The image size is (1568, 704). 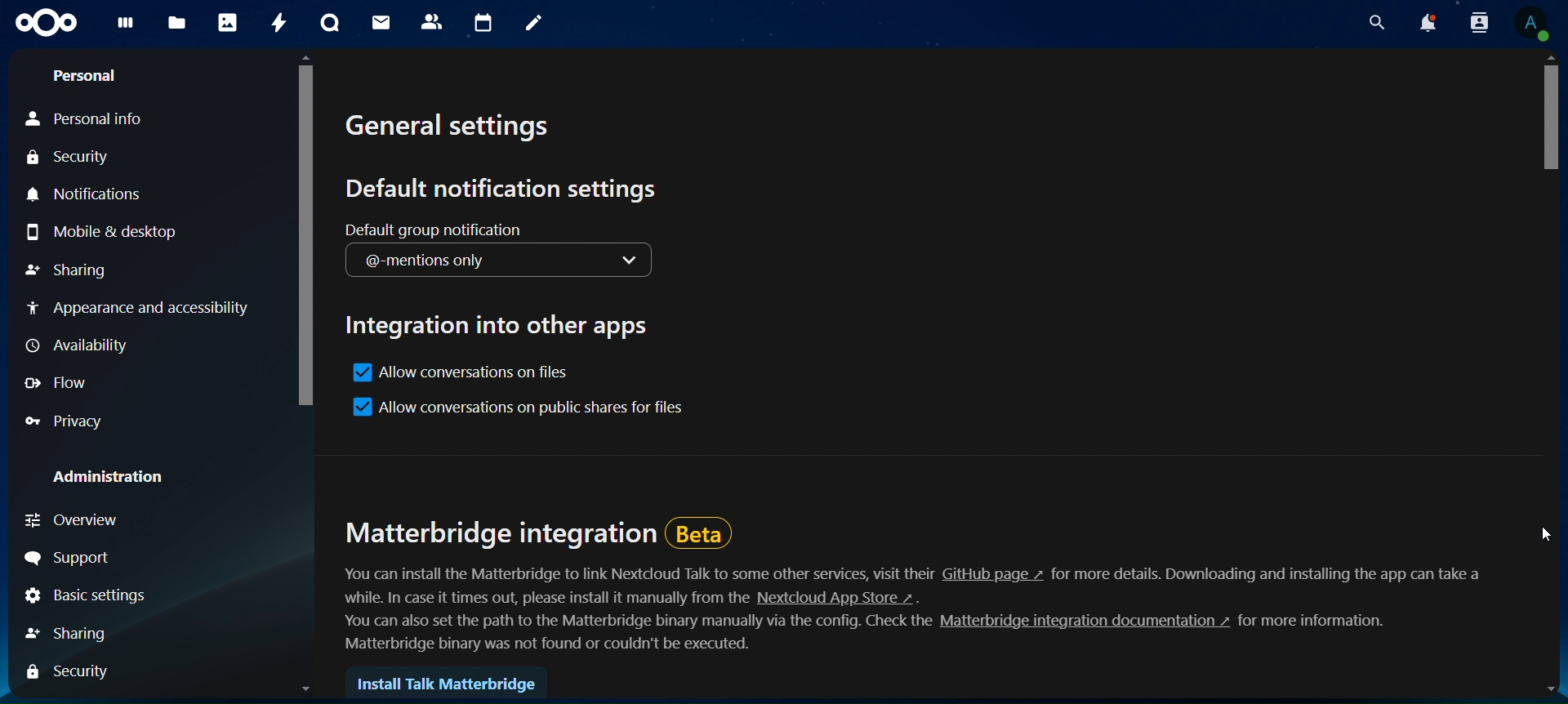 What do you see at coordinates (452, 125) in the screenshot?
I see `general settings` at bounding box center [452, 125].